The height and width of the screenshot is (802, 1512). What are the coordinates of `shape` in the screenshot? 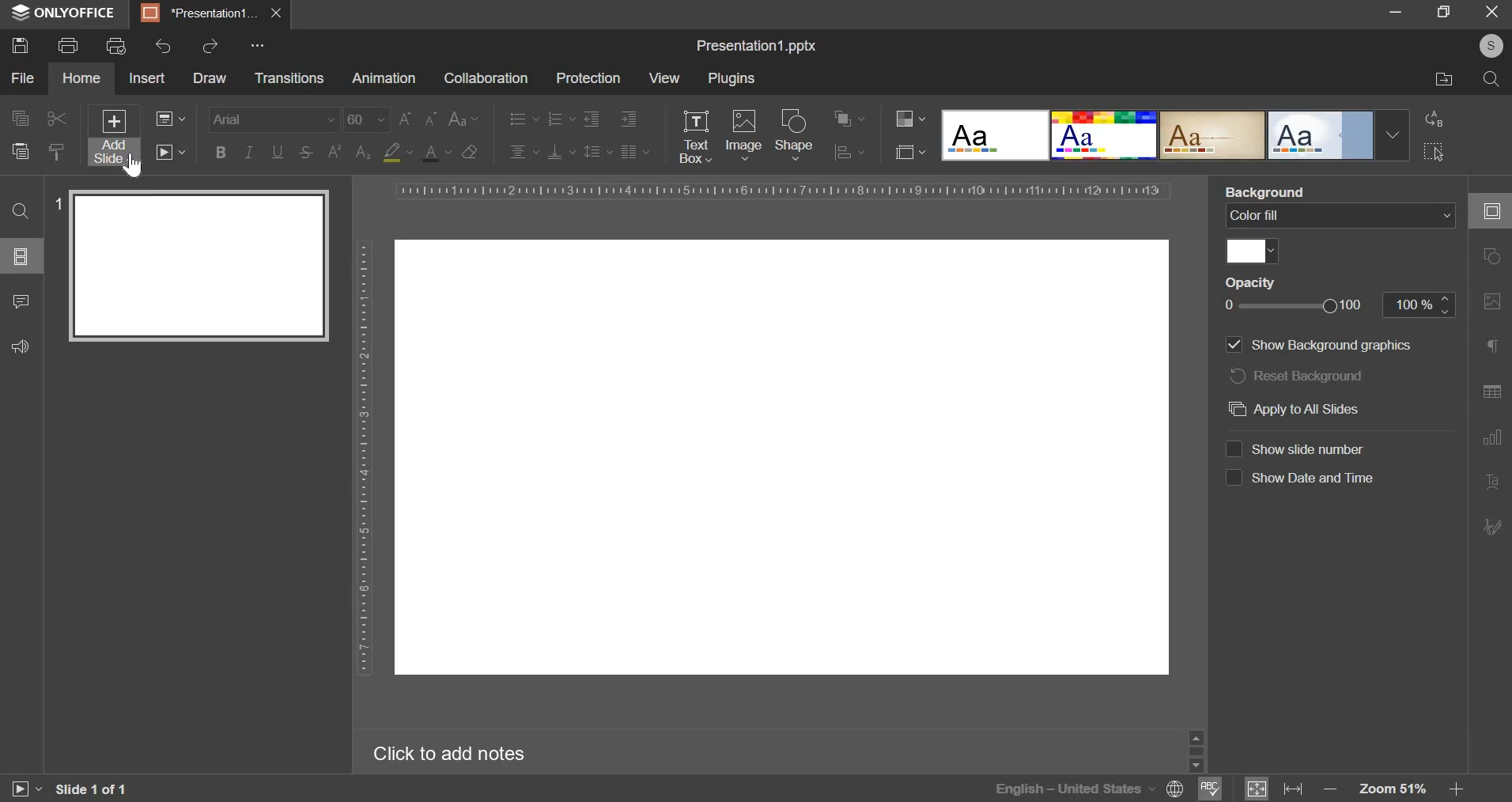 It's located at (795, 134).